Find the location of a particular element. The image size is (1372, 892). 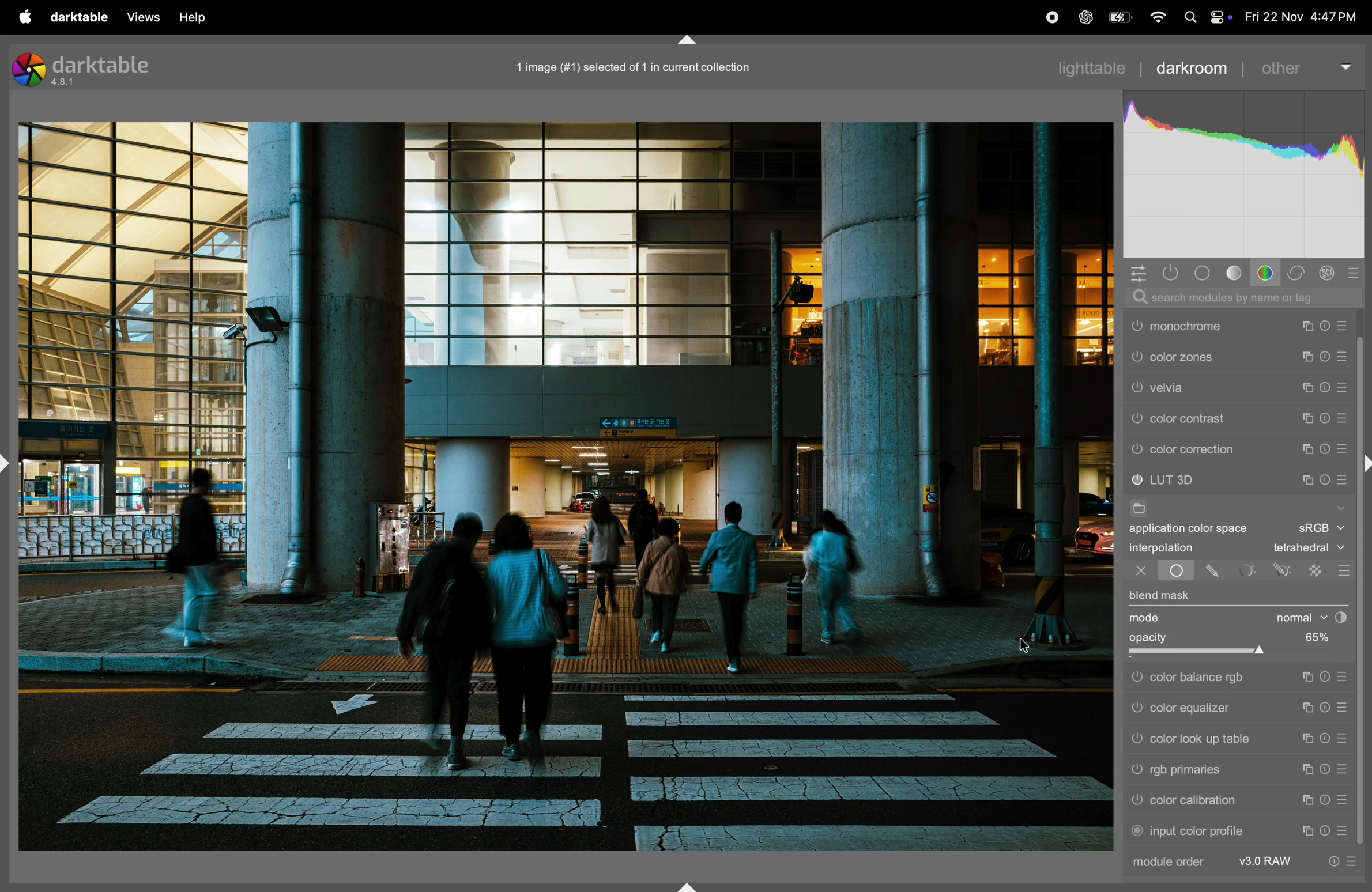

drawn mask is located at coordinates (1215, 573).